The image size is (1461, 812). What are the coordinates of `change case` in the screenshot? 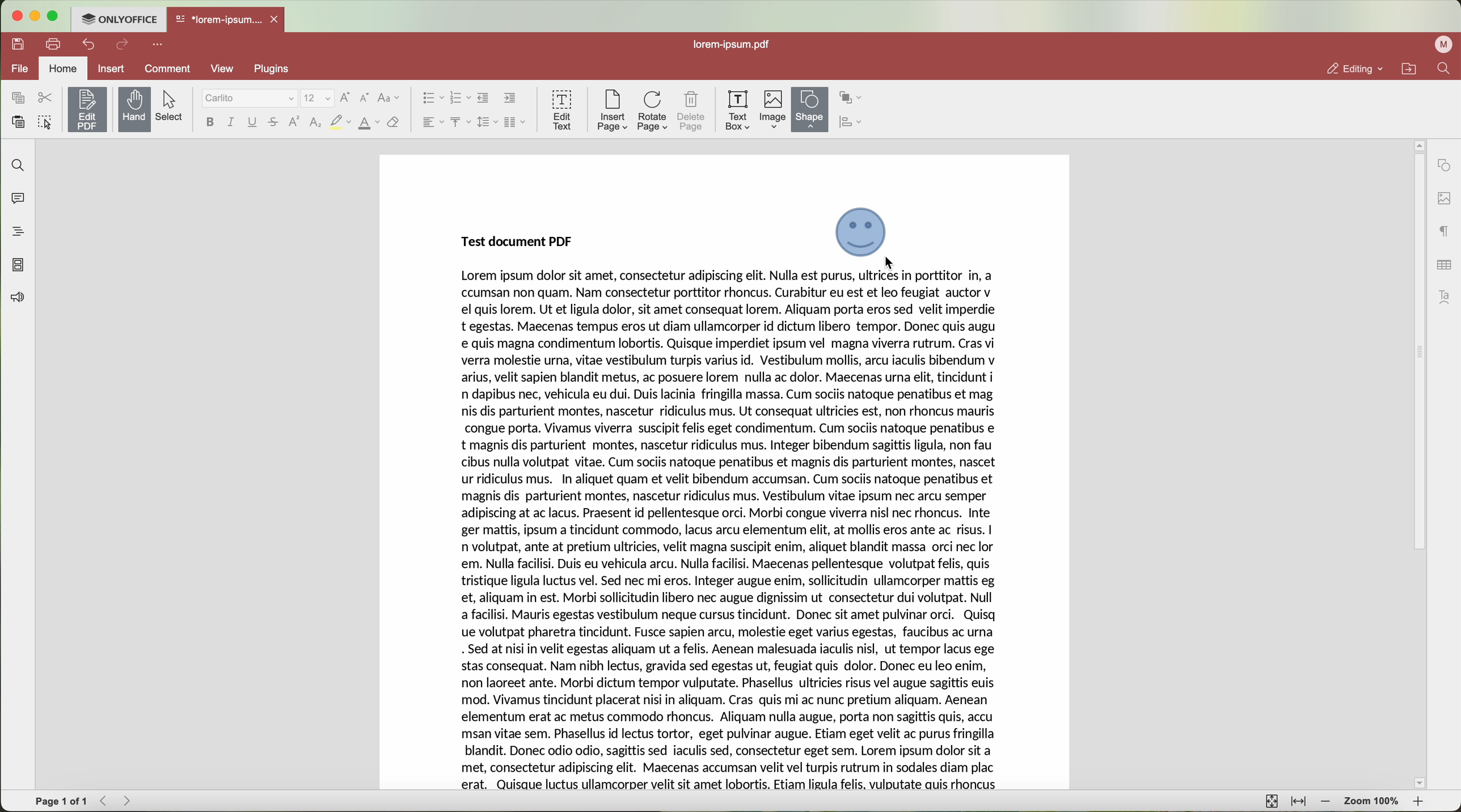 It's located at (389, 98).